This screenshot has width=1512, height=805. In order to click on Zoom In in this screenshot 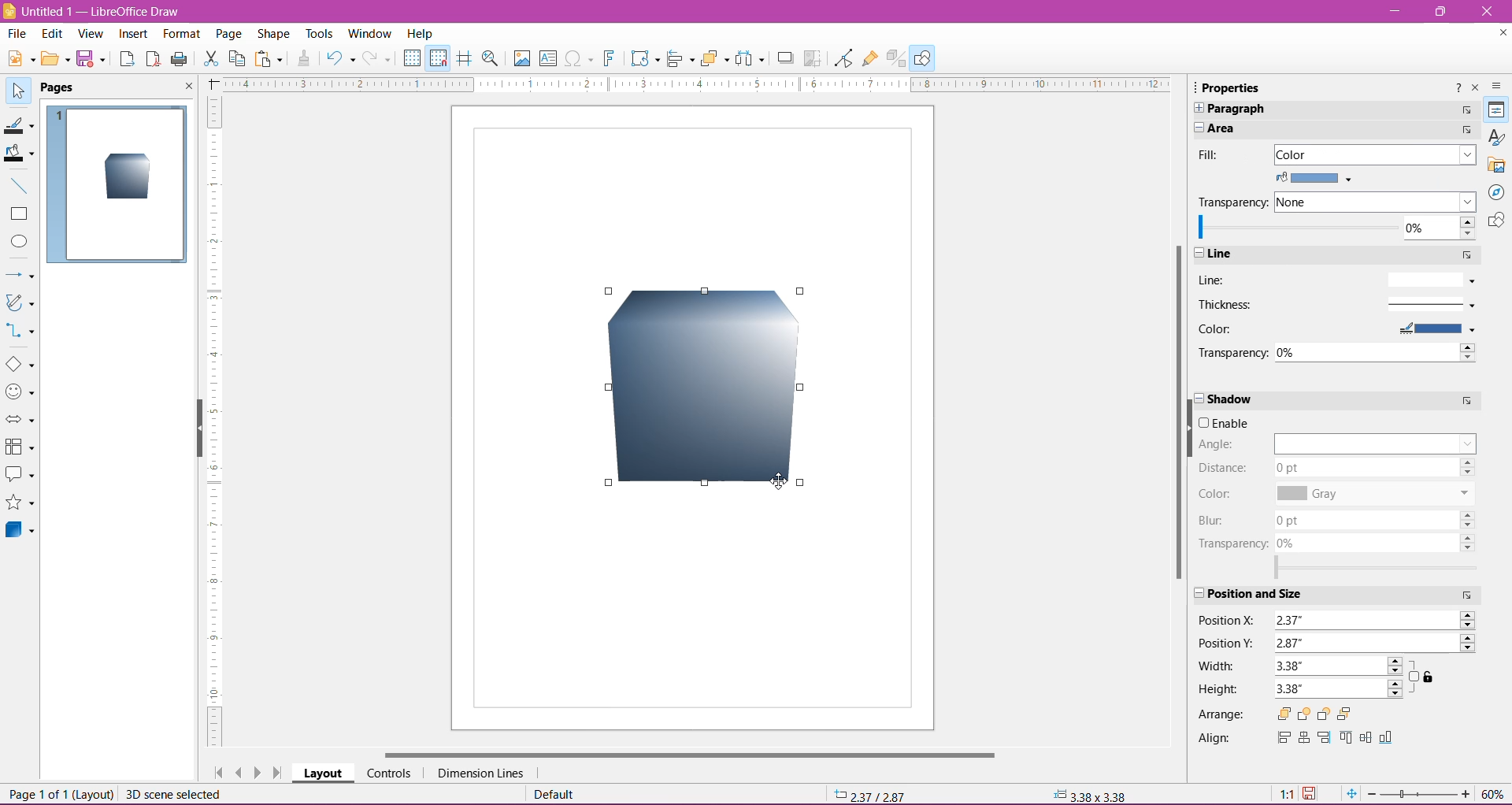, I will do `click(1466, 793)`.